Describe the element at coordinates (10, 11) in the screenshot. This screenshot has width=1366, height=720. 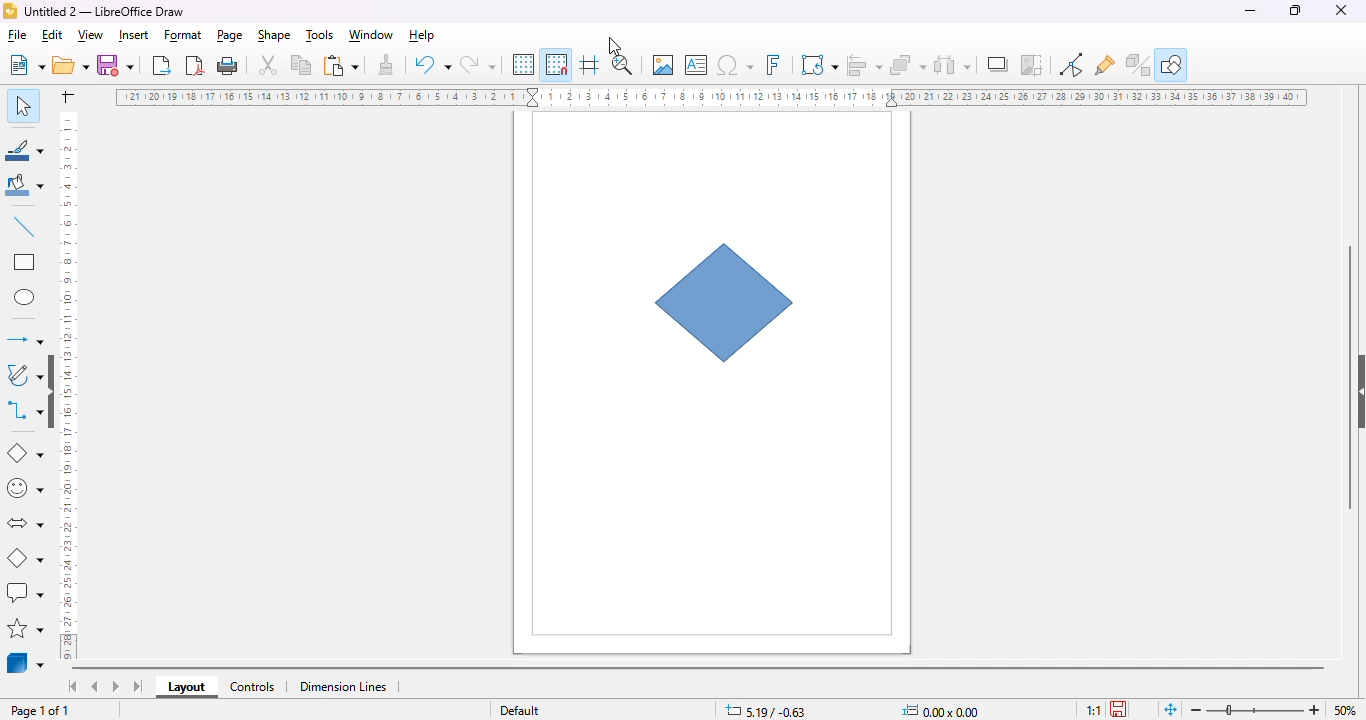
I see `logo` at that location.